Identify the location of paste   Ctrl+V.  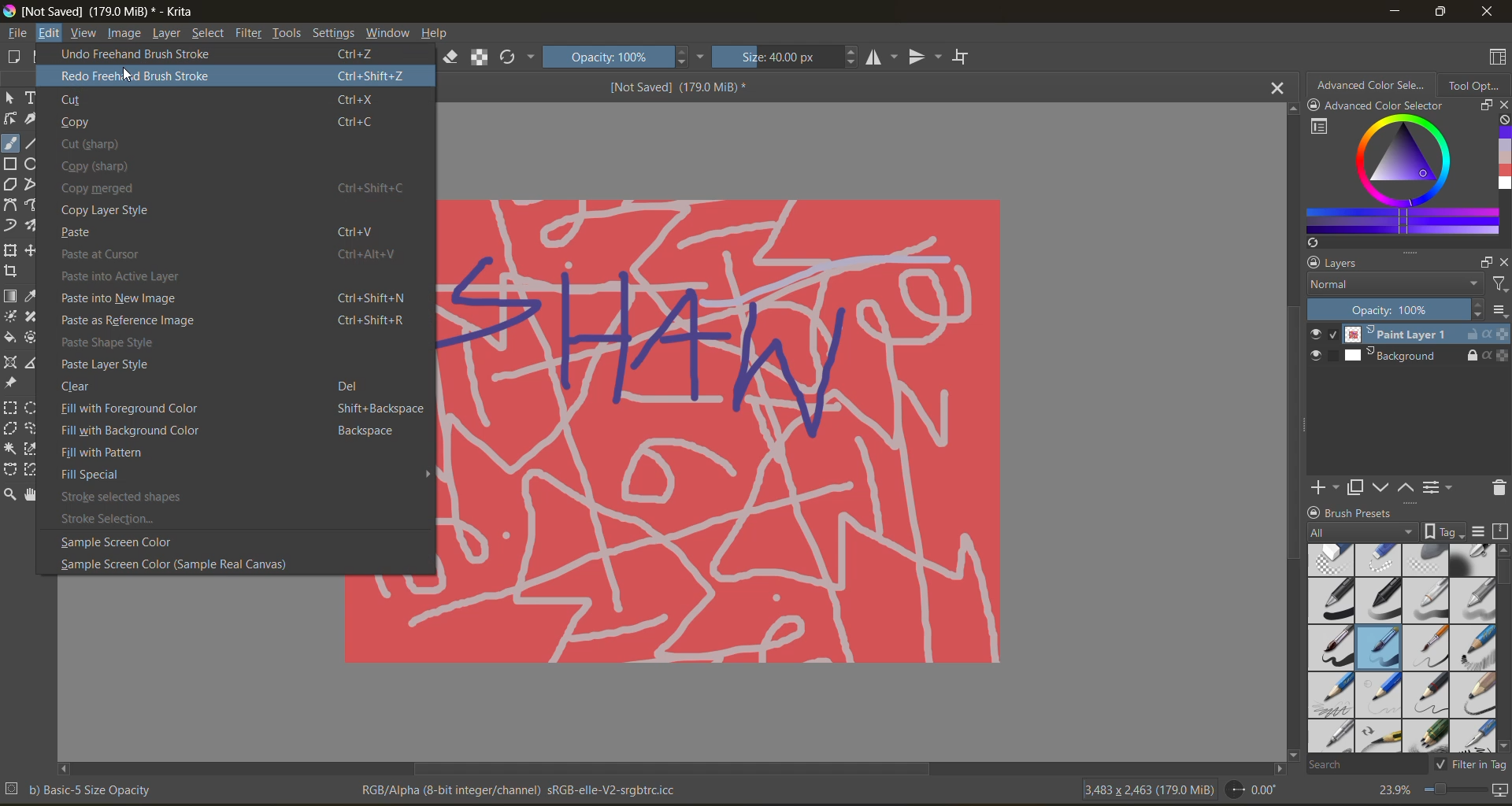
(224, 233).